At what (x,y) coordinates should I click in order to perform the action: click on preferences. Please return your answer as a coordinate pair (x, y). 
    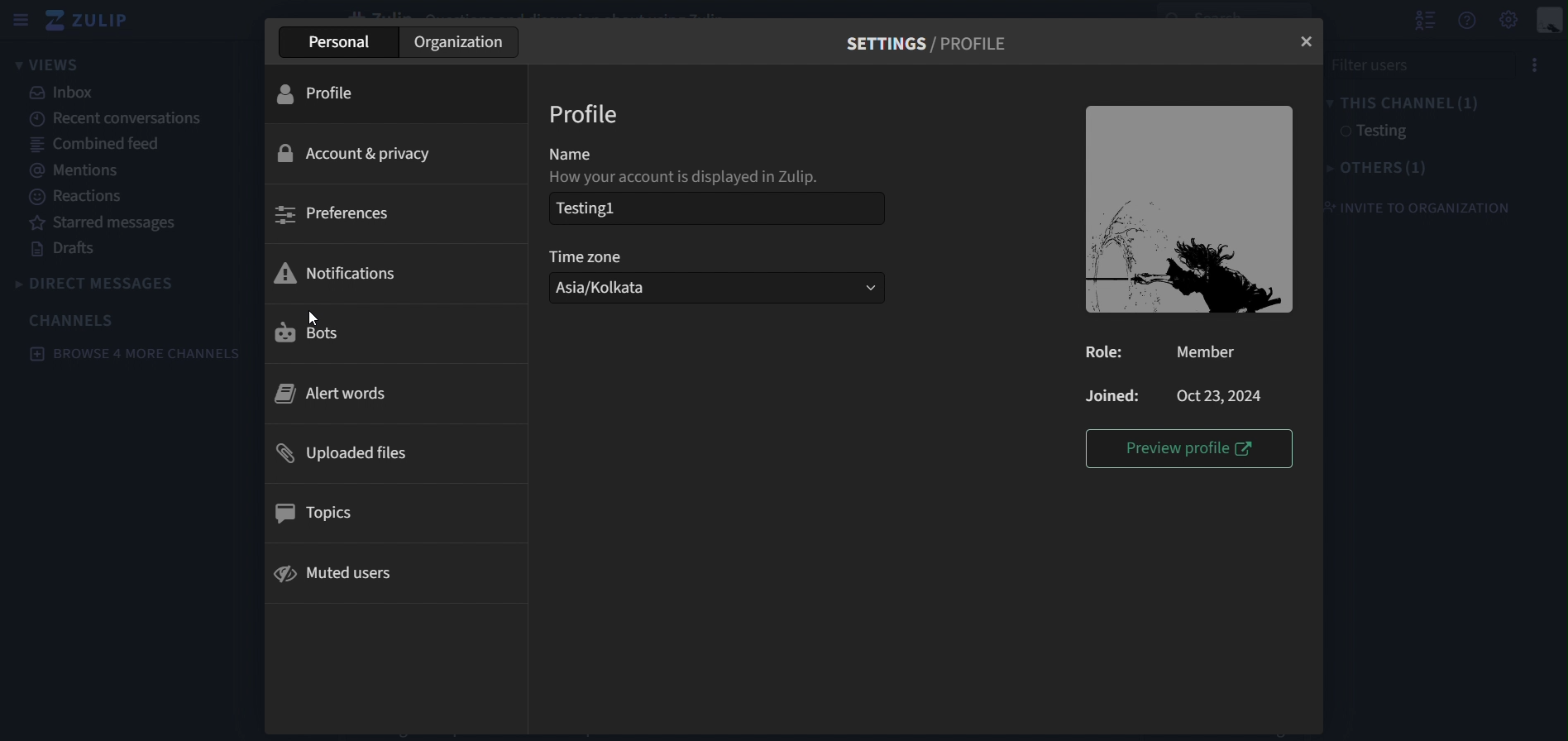
    Looking at the image, I should click on (337, 215).